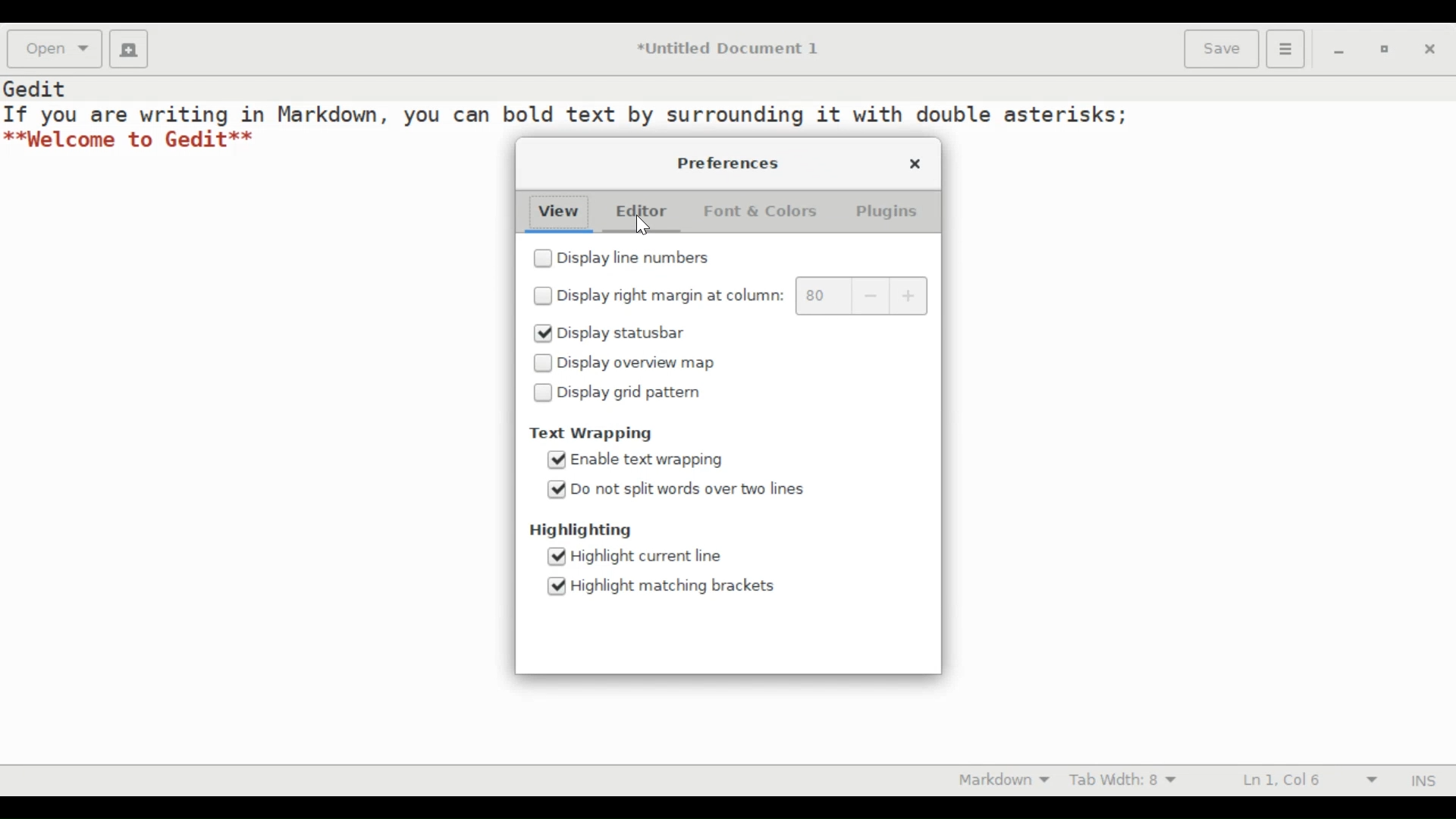  What do you see at coordinates (671, 297) in the screenshot?
I see `Display right margin at column` at bounding box center [671, 297].